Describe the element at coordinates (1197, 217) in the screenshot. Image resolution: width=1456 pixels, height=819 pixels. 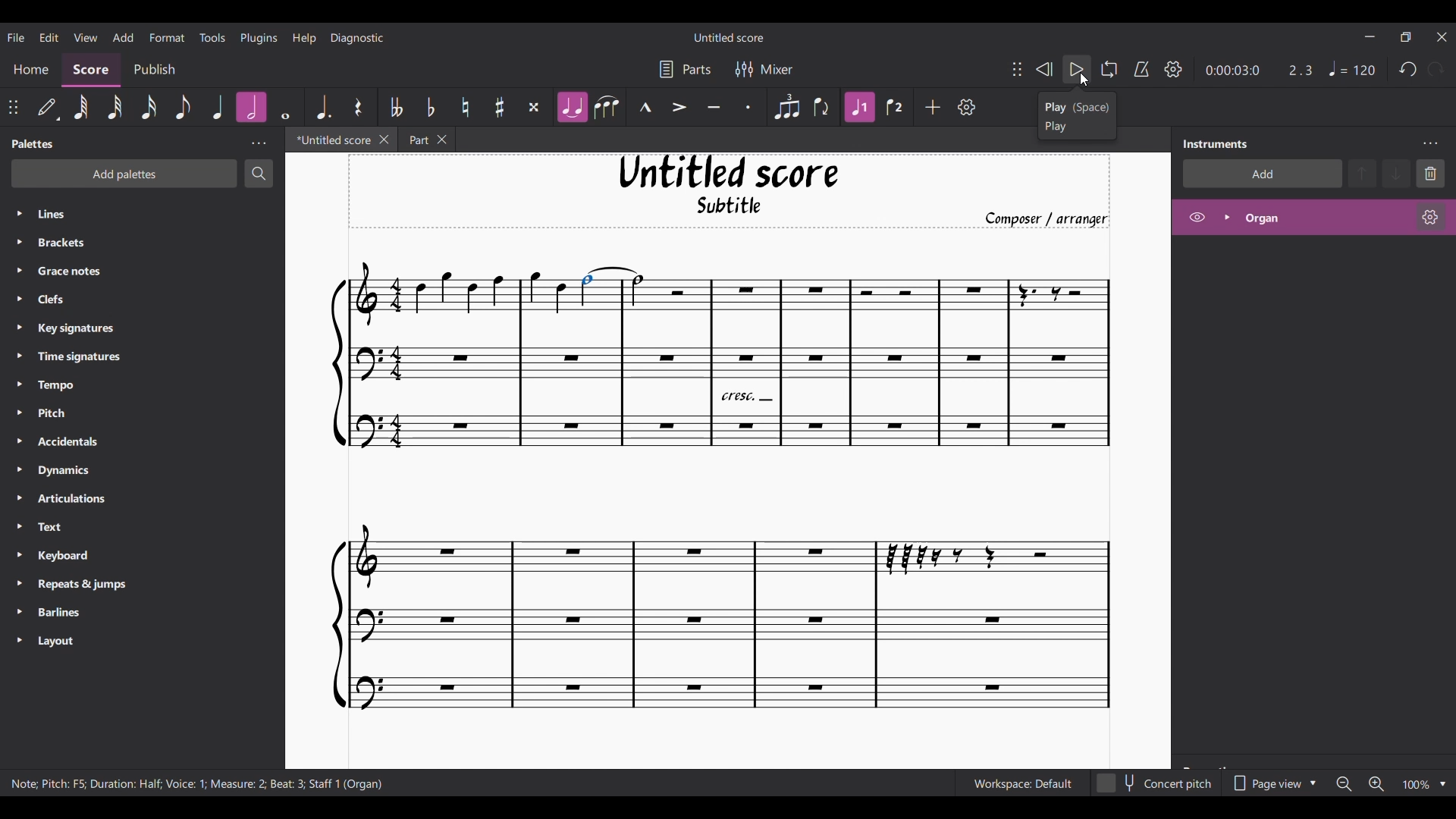
I see `Hide Organ on score` at that location.